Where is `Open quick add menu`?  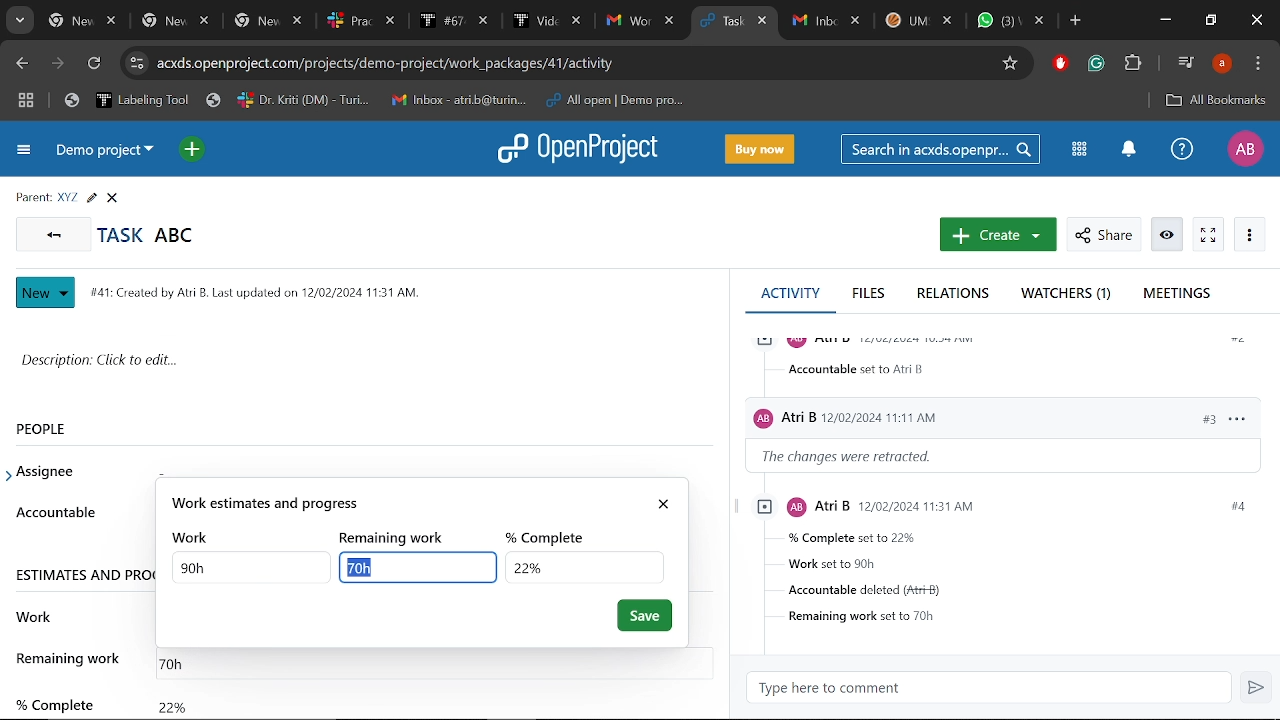 Open quick add menu is located at coordinates (191, 149).